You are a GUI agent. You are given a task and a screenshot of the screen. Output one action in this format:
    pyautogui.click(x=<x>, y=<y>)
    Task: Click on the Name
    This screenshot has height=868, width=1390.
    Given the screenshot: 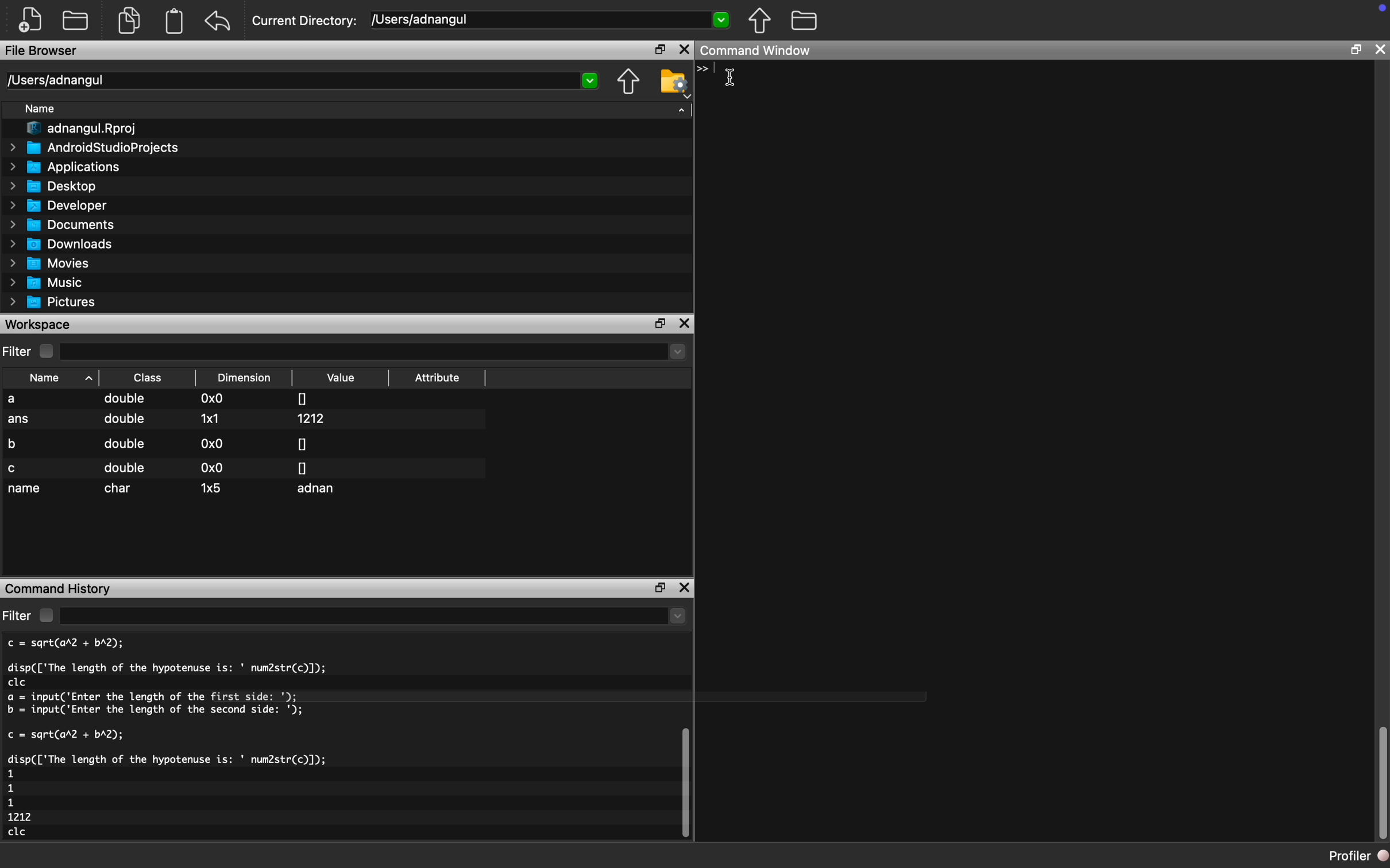 What is the action you would take?
    pyautogui.click(x=54, y=377)
    